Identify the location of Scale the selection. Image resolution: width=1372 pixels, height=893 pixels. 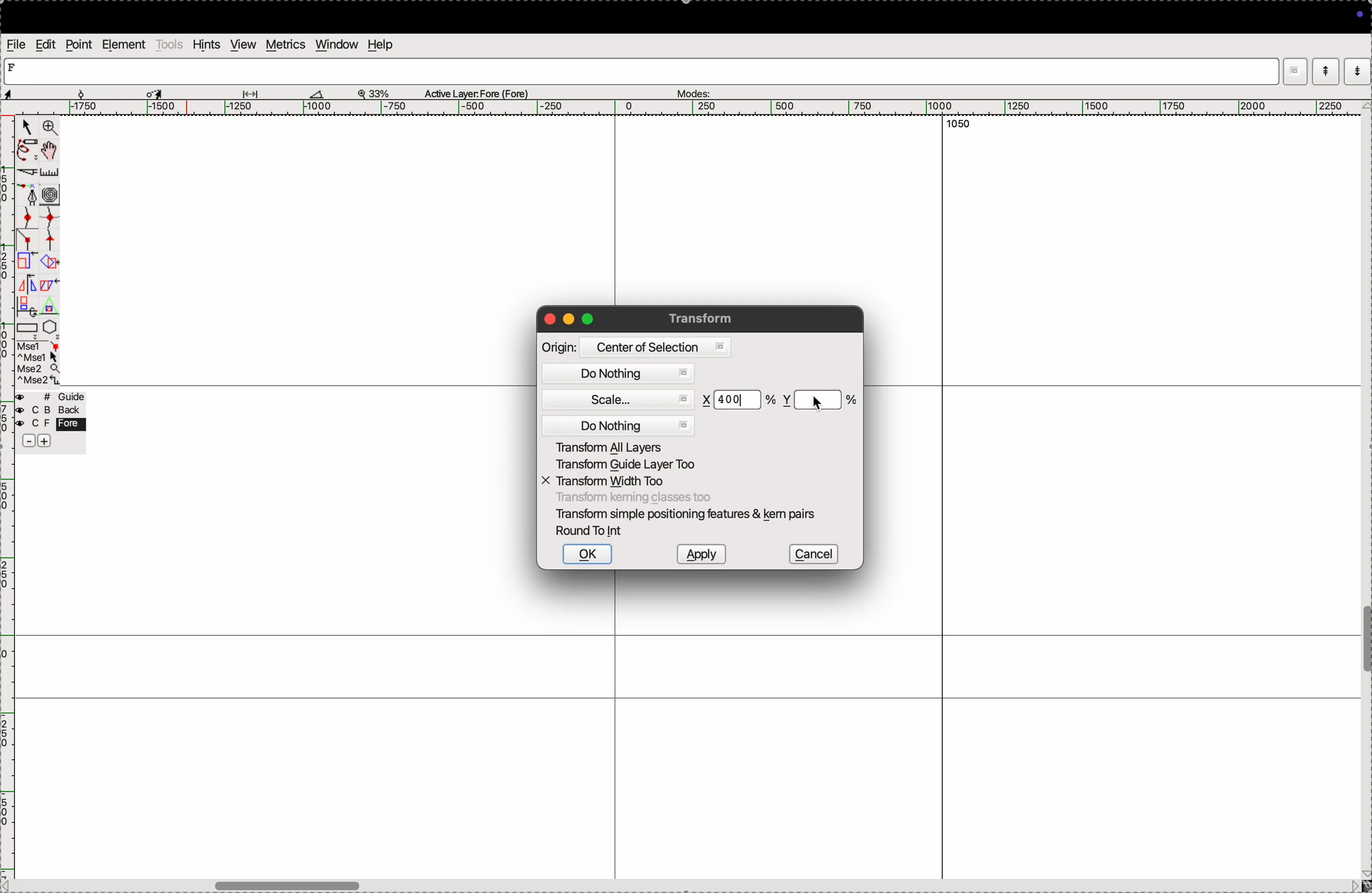
(27, 264).